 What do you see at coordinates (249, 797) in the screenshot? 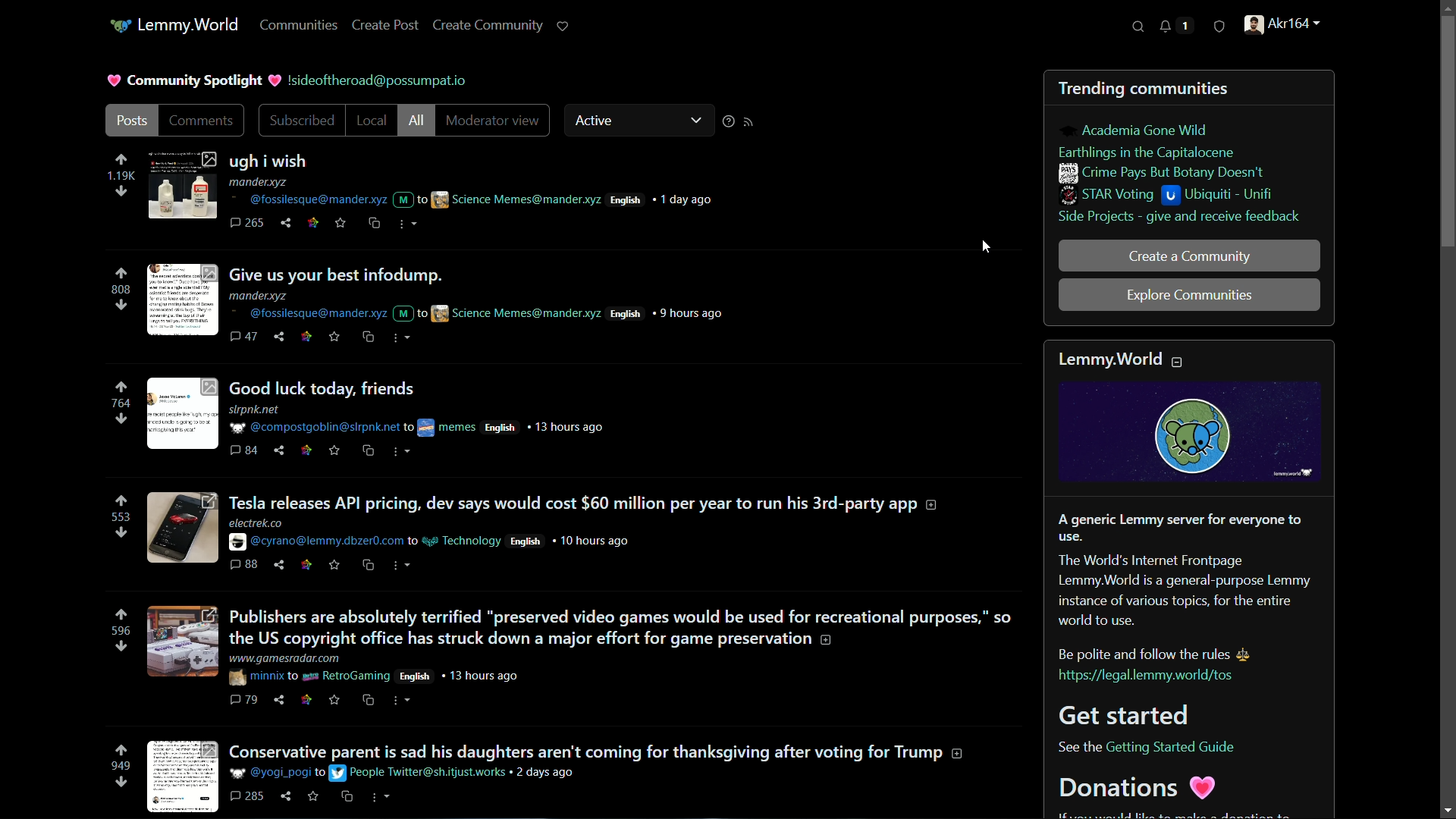
I see `285 comments` at bounding box center [249, 797].